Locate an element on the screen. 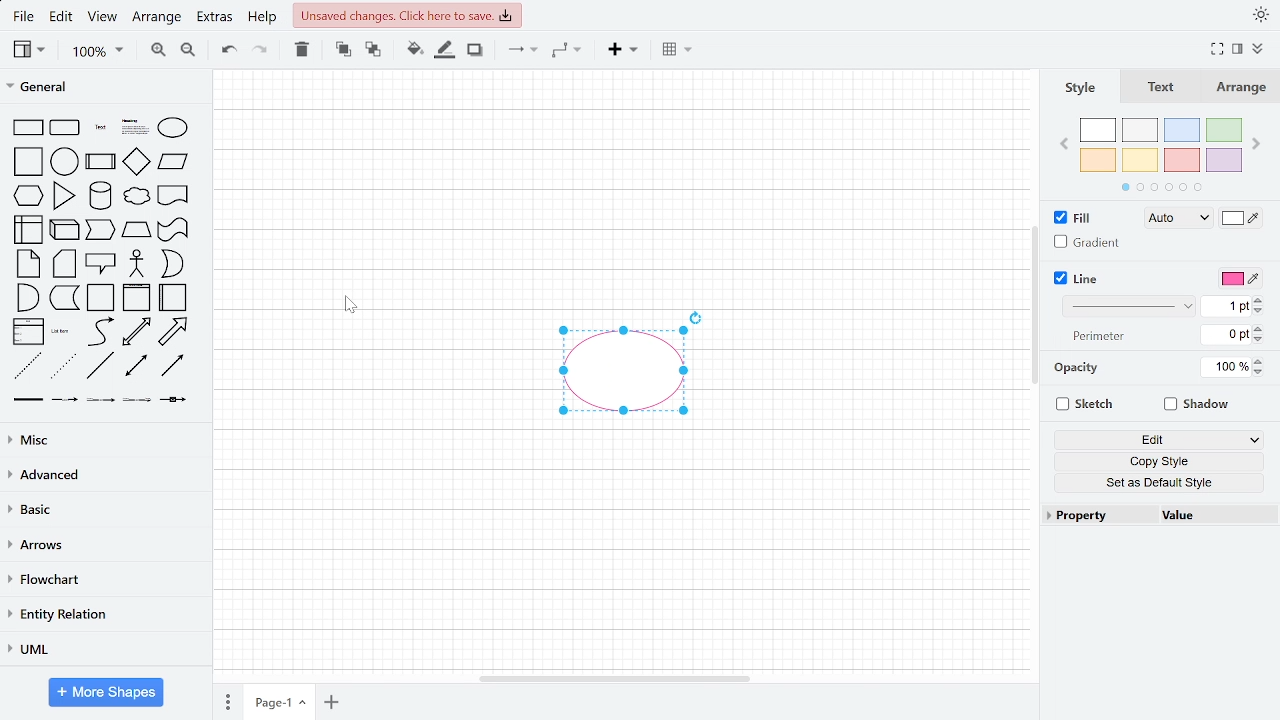 Image resolution: width=1280 pixels, height=720 pixels. Line color is located at coordinates (1237, 278).